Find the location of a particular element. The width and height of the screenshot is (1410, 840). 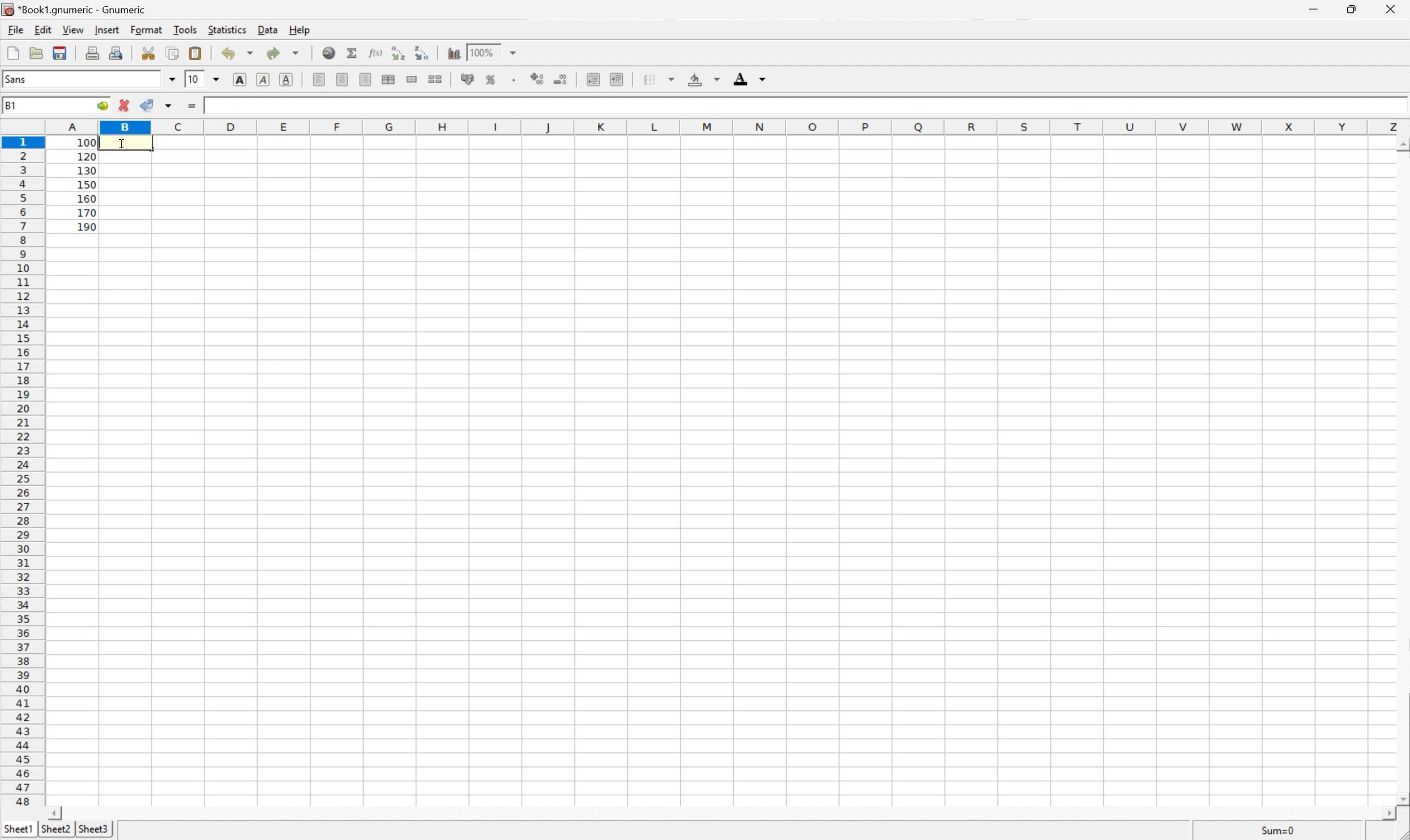

*Book1.gnumeric - Gnumeric is located at coordinates (78, 8).